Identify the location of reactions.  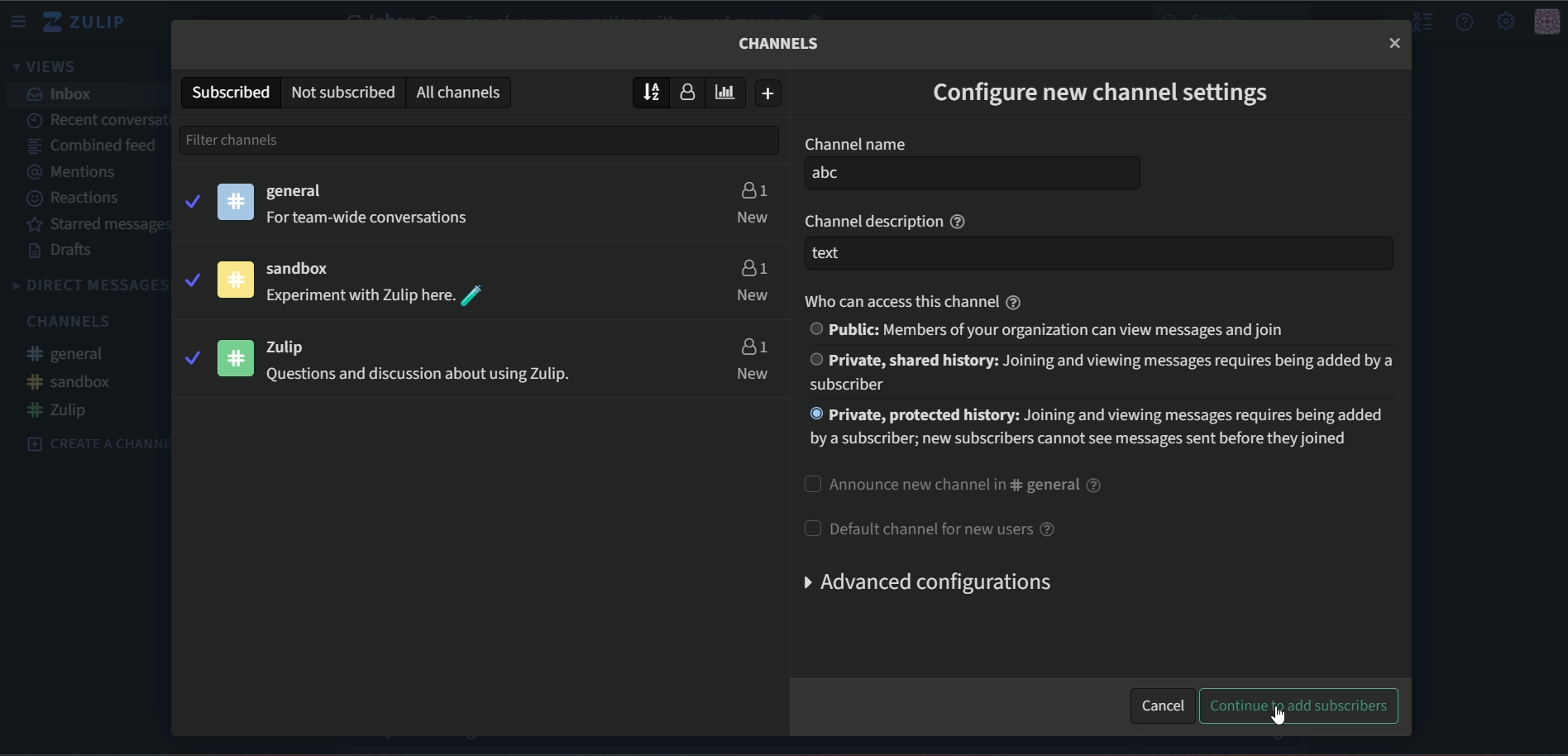
(76, 199).